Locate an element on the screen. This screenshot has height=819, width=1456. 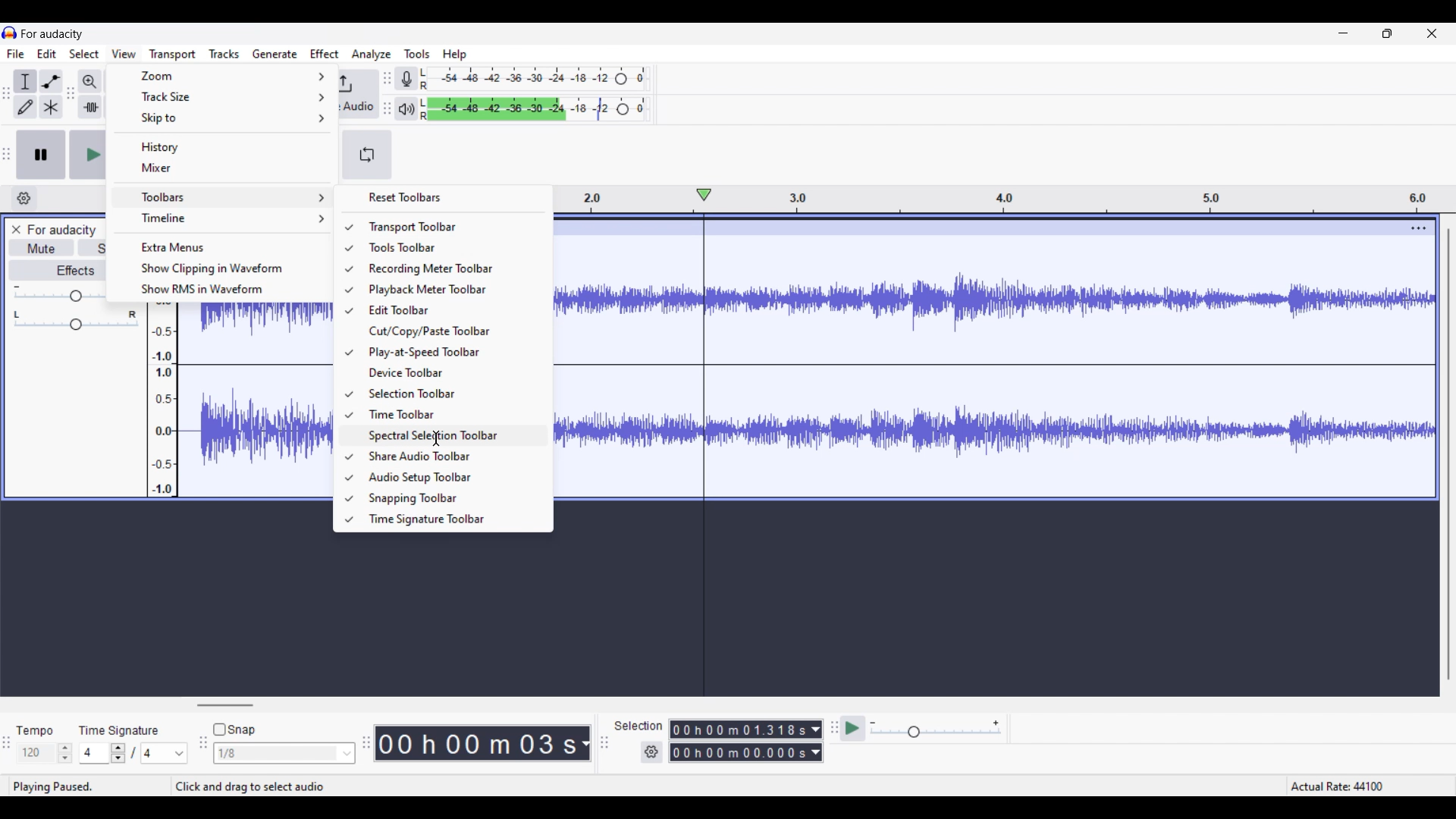
Status of sound is located at coordinates (62, 785).